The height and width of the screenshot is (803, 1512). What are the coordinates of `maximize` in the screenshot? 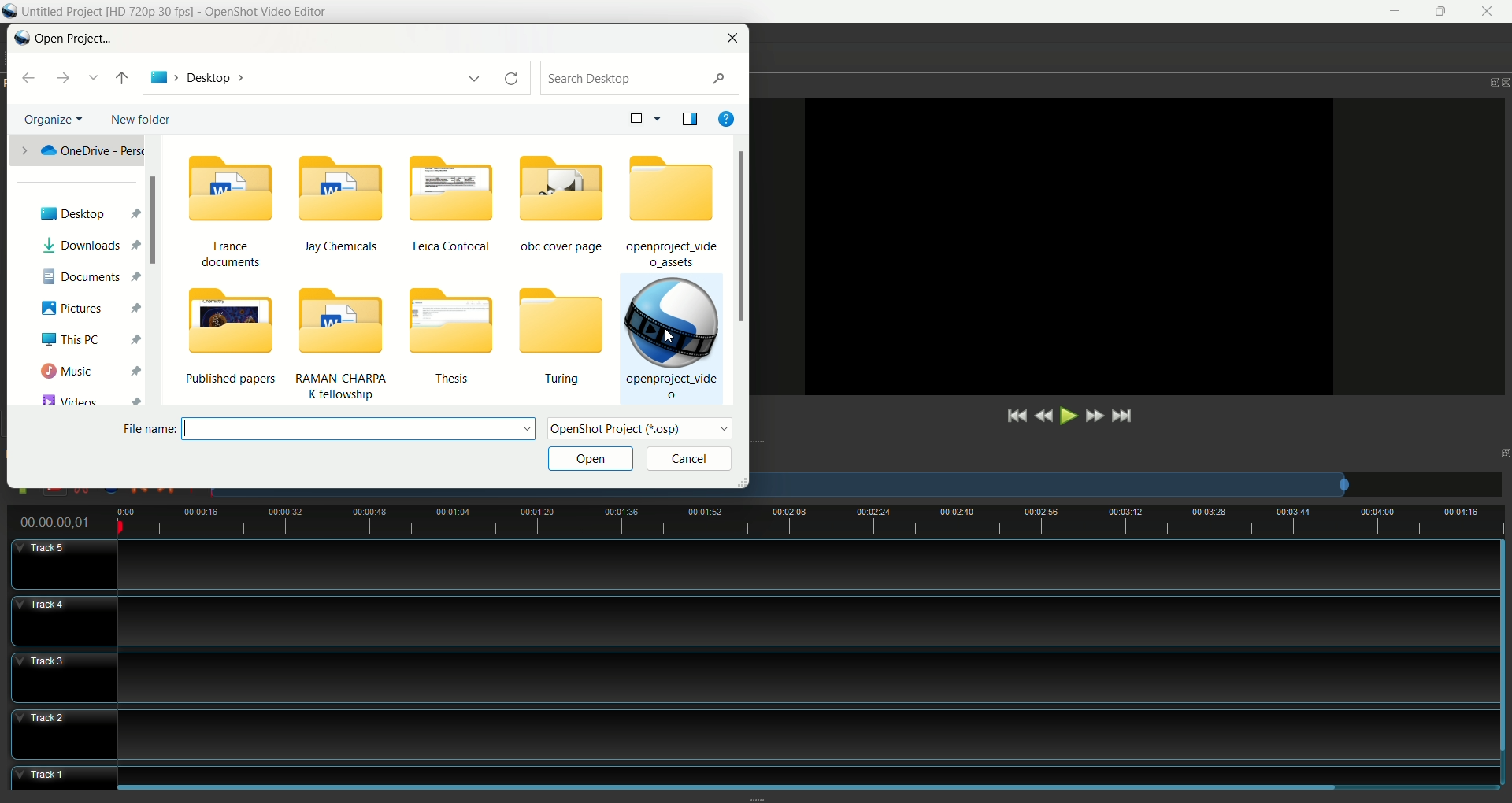 It's located at (1478, 77).